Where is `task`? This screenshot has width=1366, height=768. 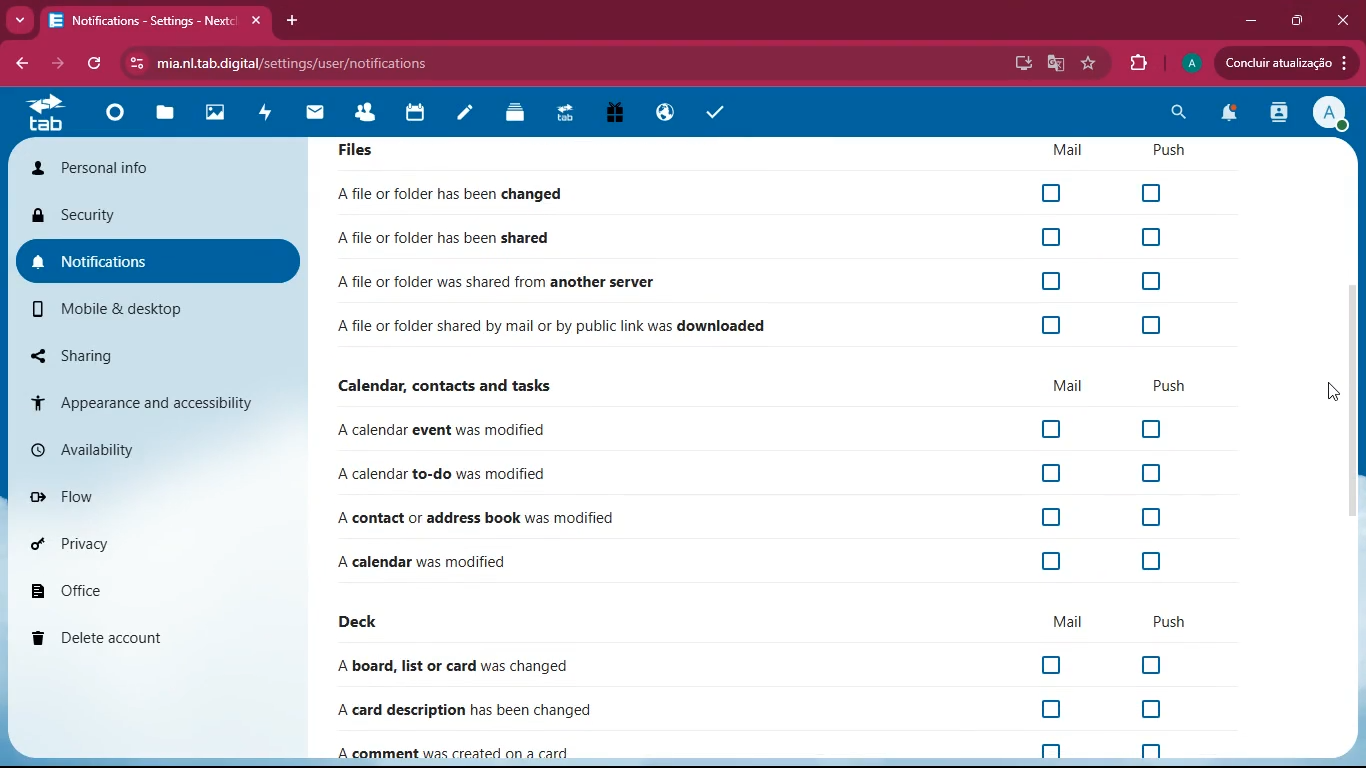 task is located at coordinates (716, 113).